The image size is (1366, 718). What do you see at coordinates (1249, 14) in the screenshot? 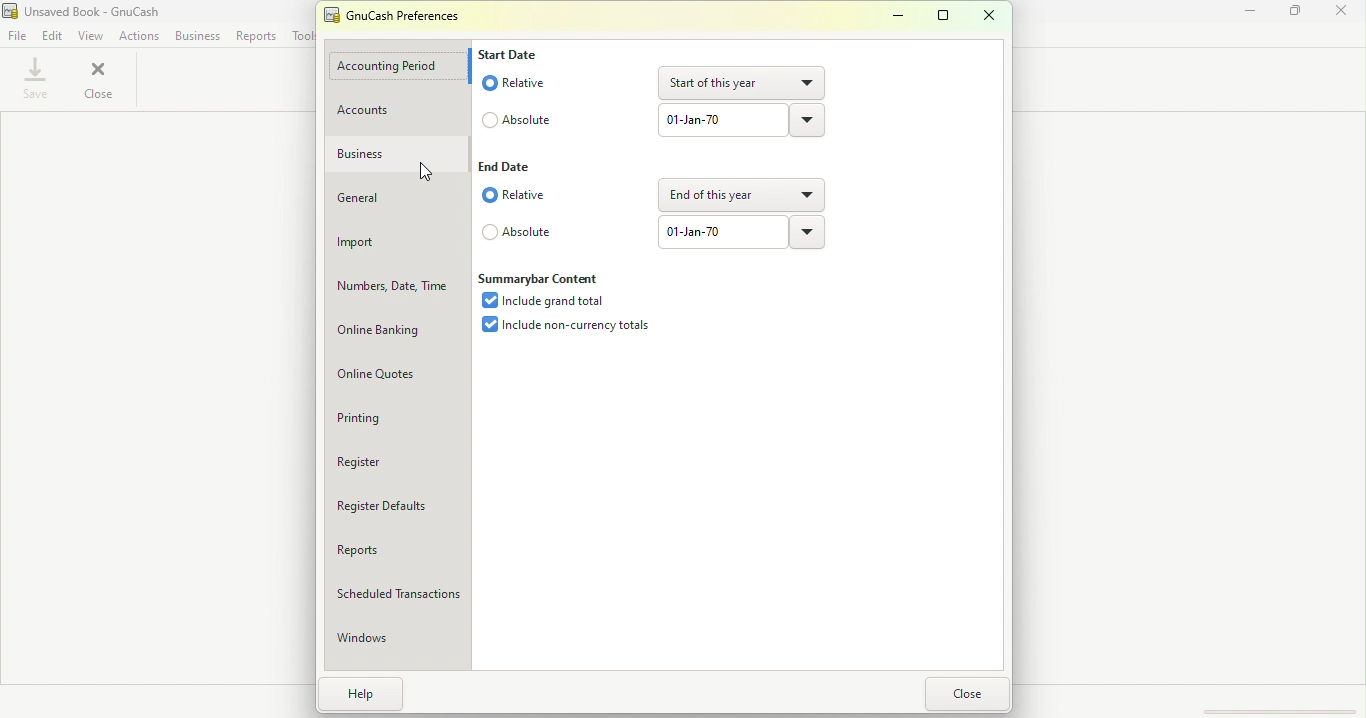
I see `Minimize` at bounding box center [1249, 14].